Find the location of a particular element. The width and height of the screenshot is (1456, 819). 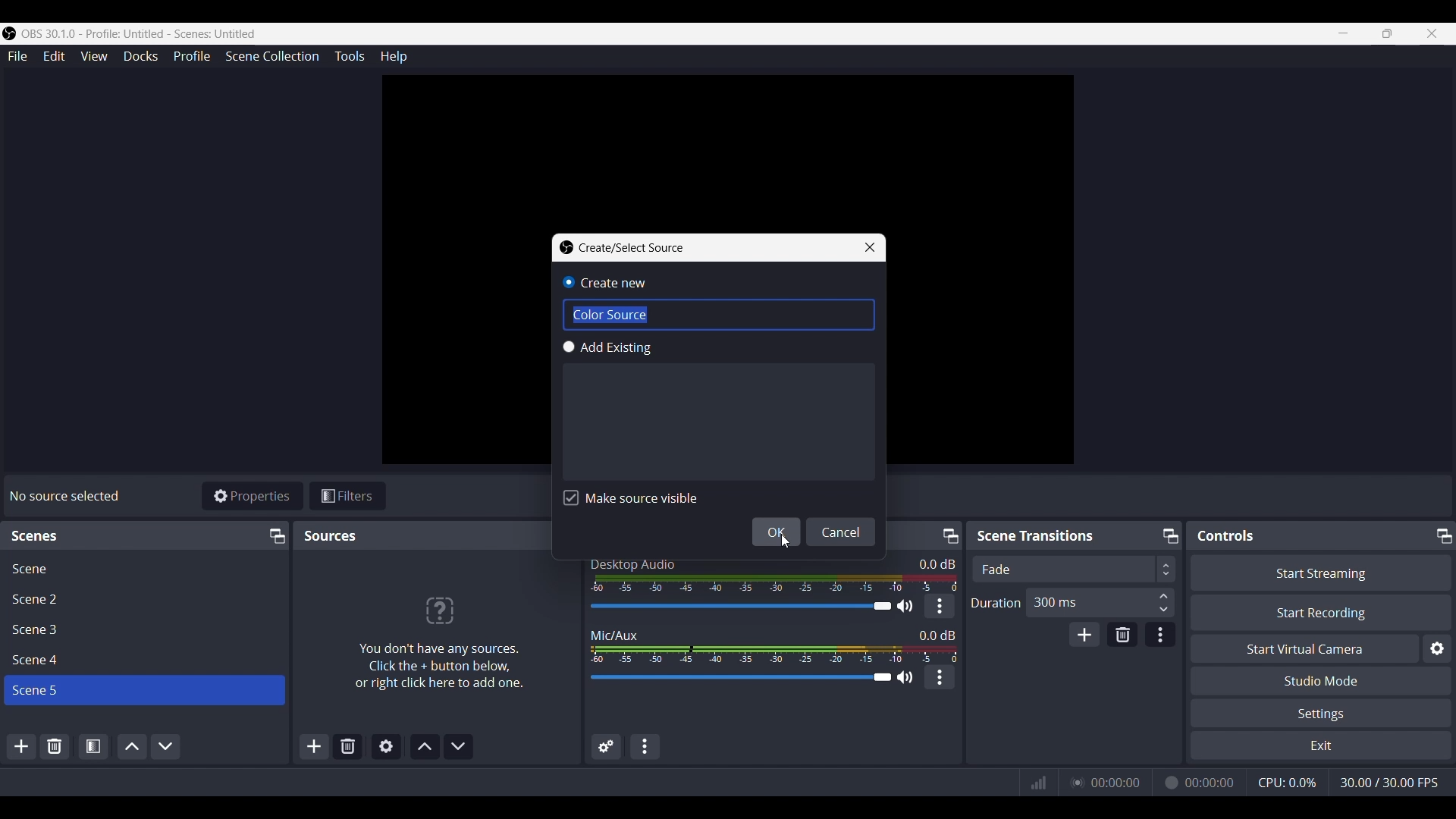

00:00:00 is located at coordinates (1117, 782).